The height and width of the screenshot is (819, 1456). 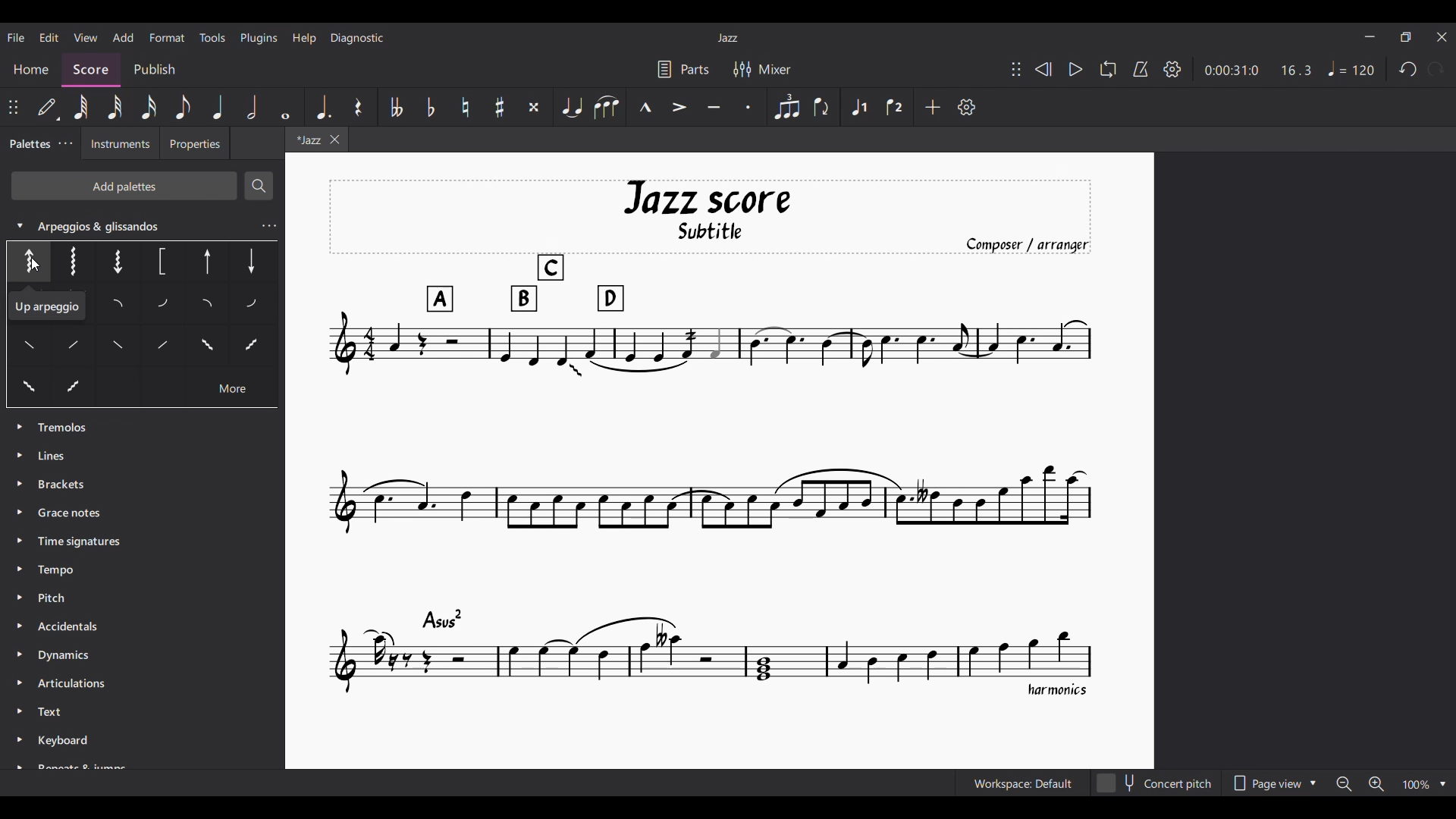 I want to click on Undo, so click(x=1408, y=69).